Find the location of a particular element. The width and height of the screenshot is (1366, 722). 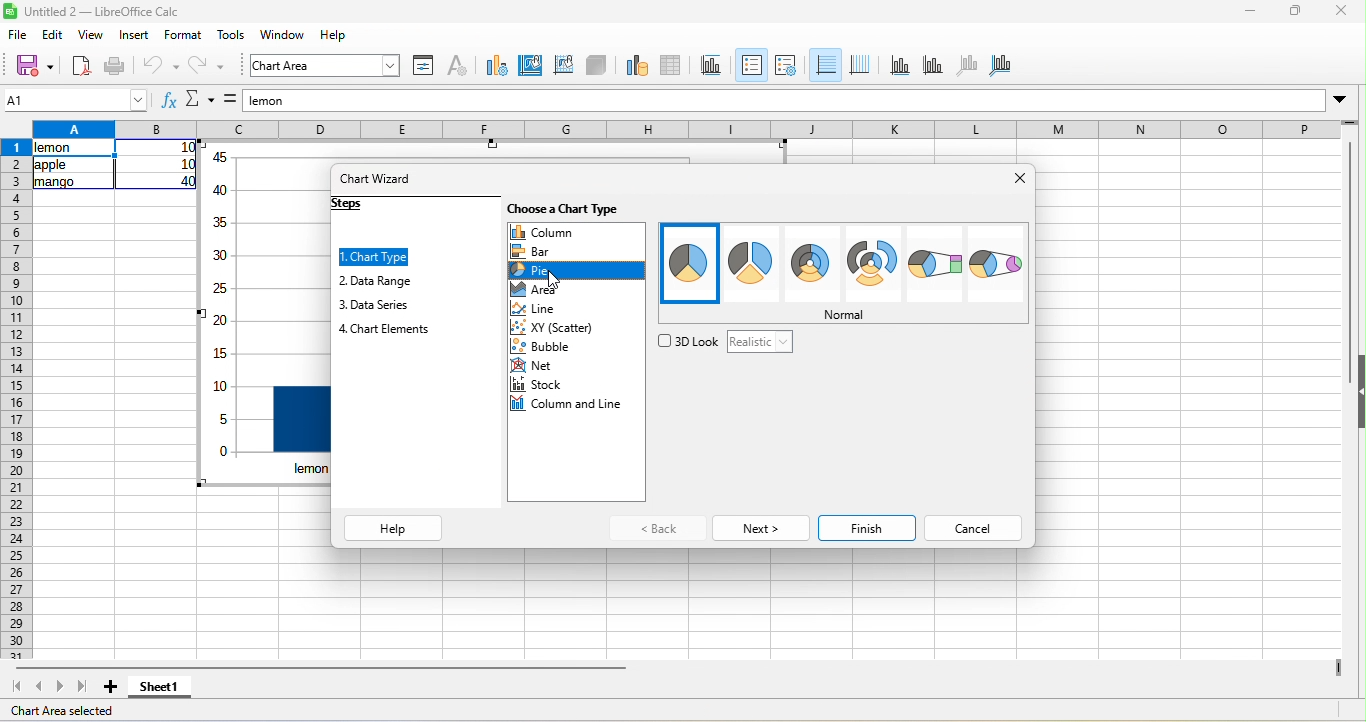

pie chart is located at coordinates (996, 265).